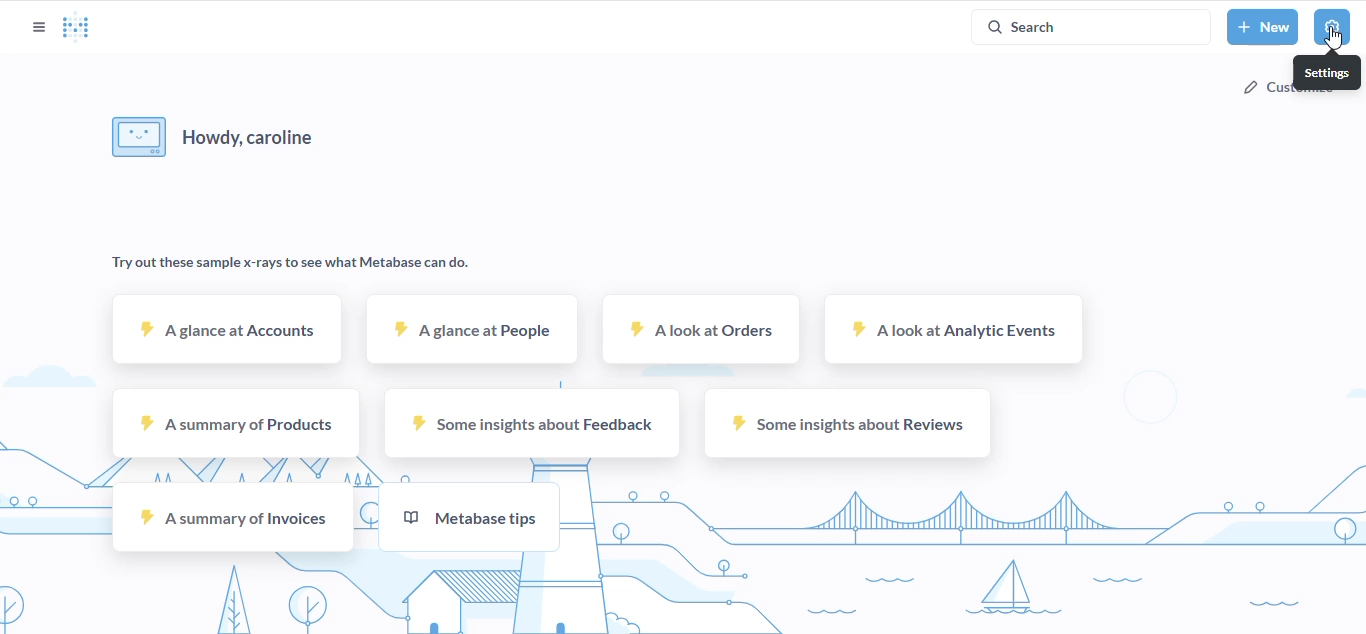 The width and height of the screenshot is (1366, 634). I want to click on search, so click(1090, 26).